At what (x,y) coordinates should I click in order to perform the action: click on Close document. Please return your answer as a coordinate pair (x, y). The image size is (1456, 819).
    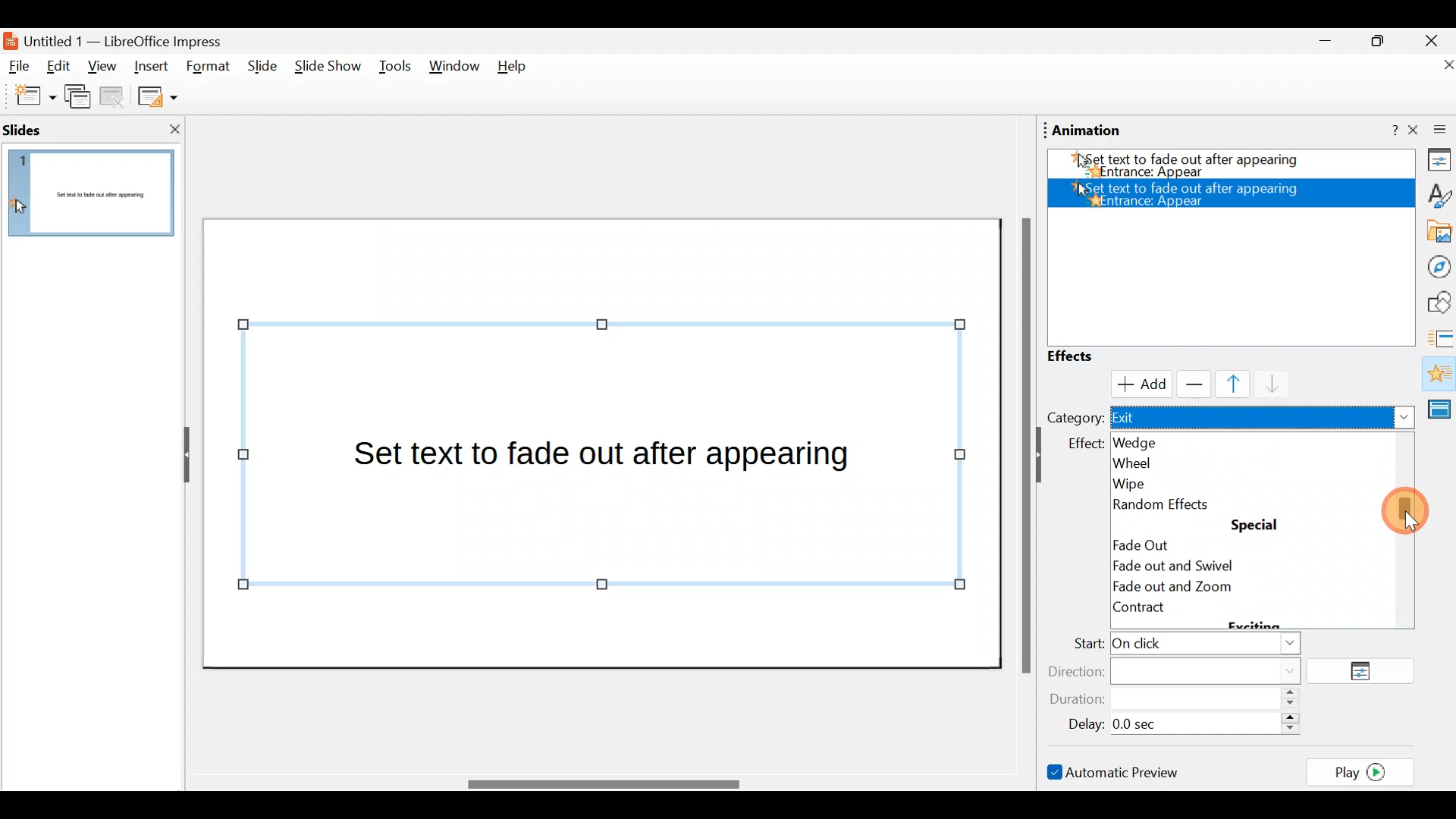
    Looking at the image, I should click on (1433, 66).